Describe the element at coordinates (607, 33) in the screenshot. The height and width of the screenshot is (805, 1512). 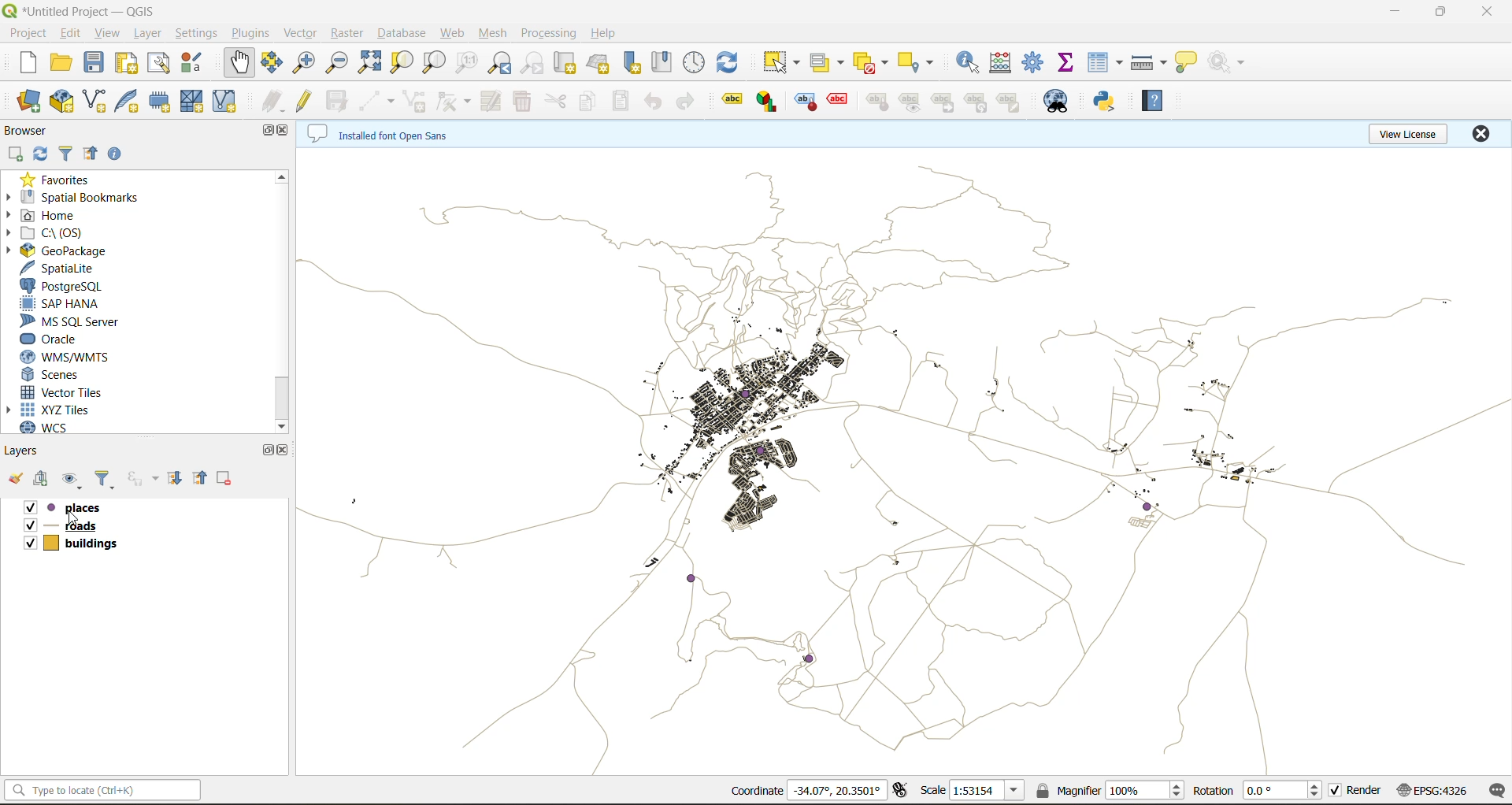
I see `help` at that location.